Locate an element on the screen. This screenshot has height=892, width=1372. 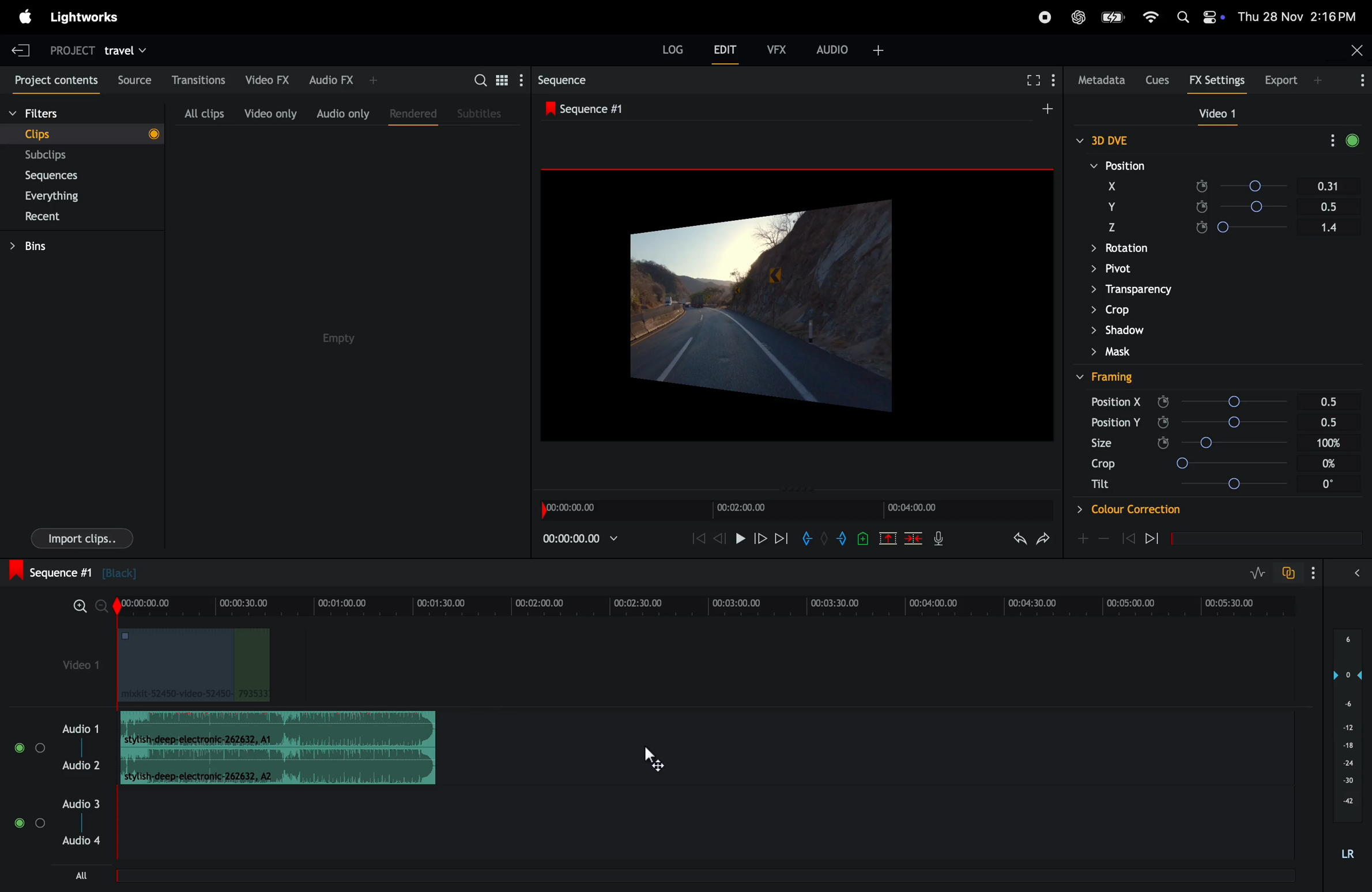
 is located at coordinates (1113, 423).